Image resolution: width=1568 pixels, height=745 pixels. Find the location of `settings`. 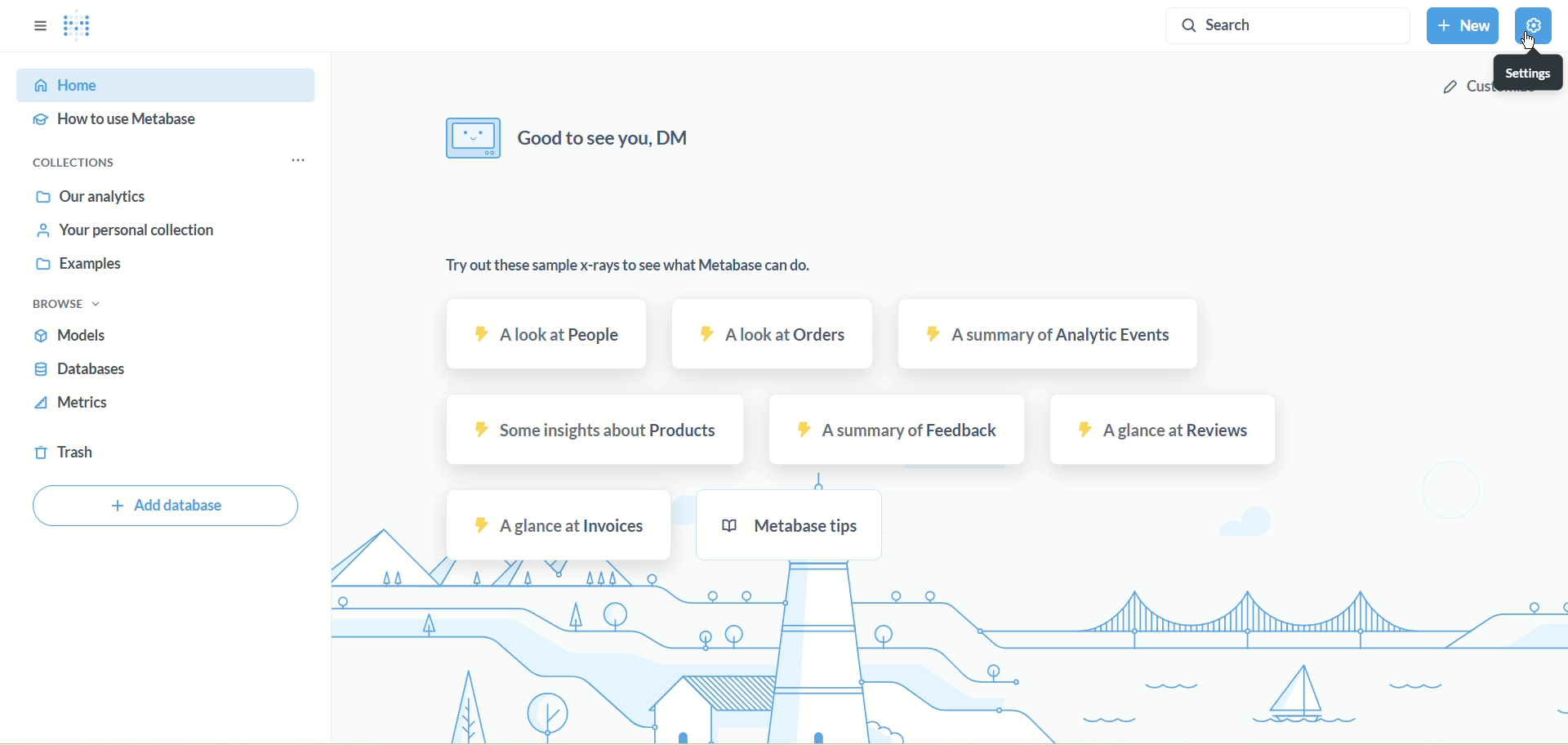

settings is located at coordinates (1527, 72).